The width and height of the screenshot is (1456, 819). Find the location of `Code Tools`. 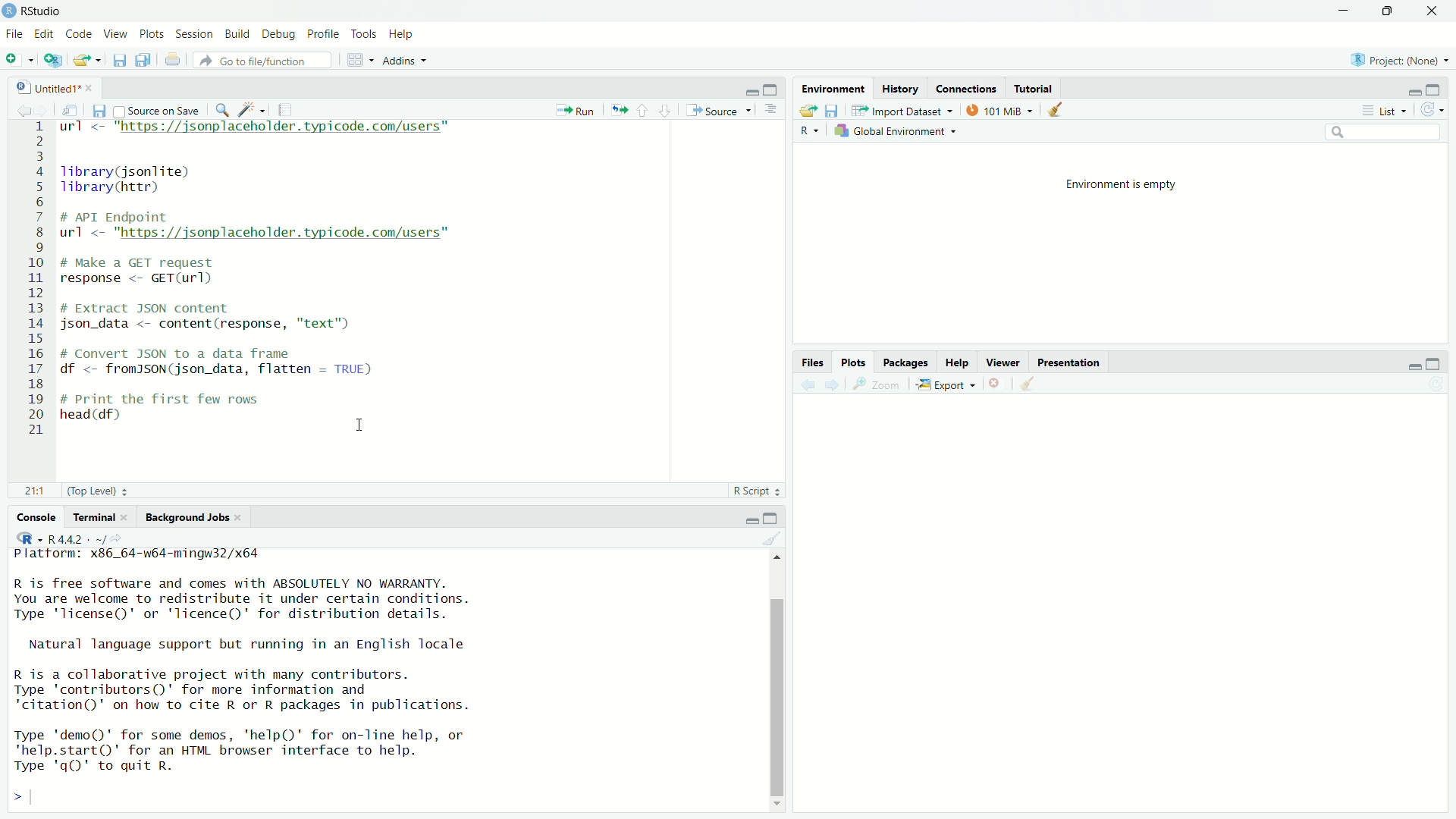

Code Tools is located at coordinates (252, 110).